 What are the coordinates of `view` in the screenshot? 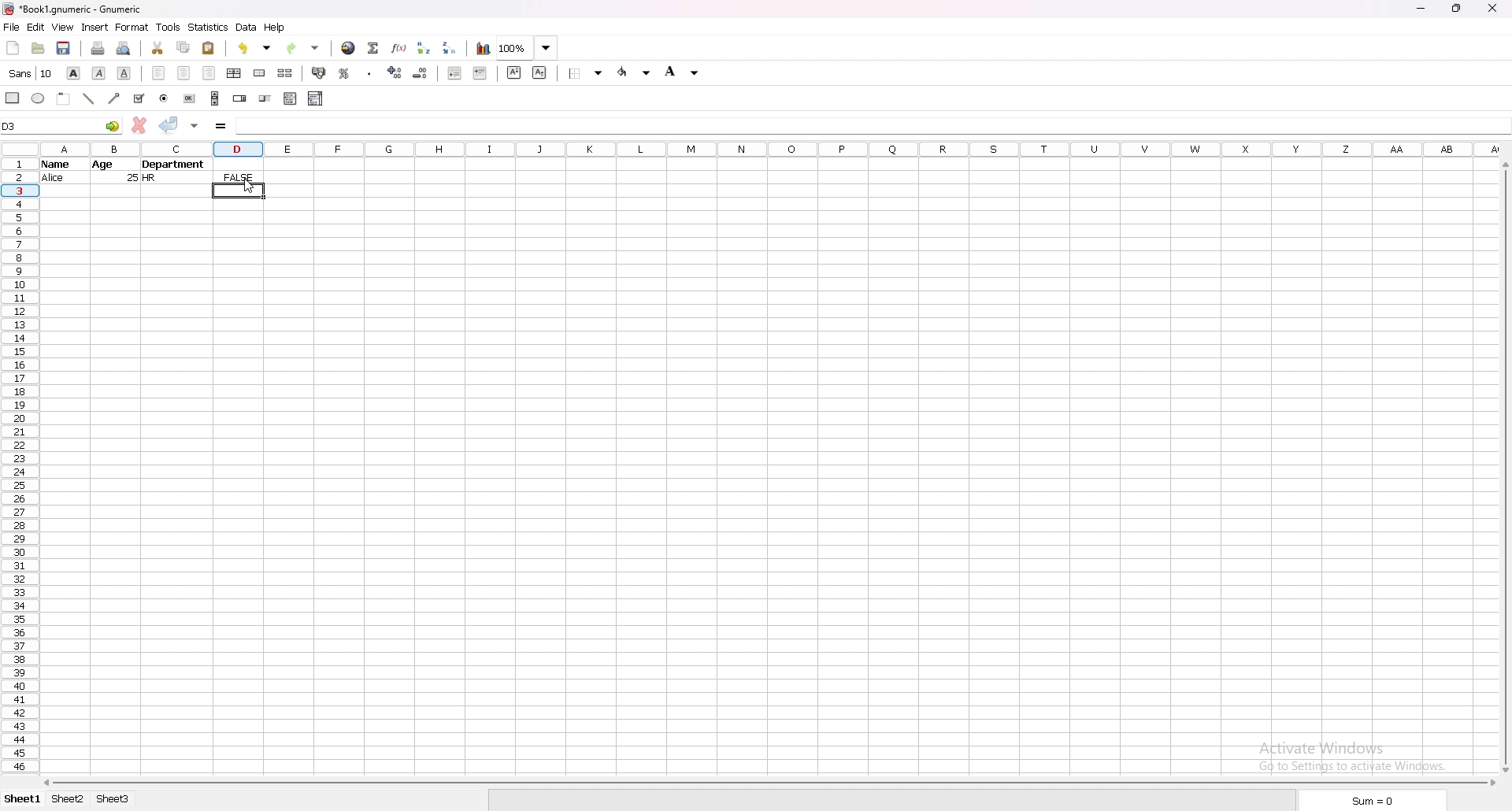 It's located at (63, 28).